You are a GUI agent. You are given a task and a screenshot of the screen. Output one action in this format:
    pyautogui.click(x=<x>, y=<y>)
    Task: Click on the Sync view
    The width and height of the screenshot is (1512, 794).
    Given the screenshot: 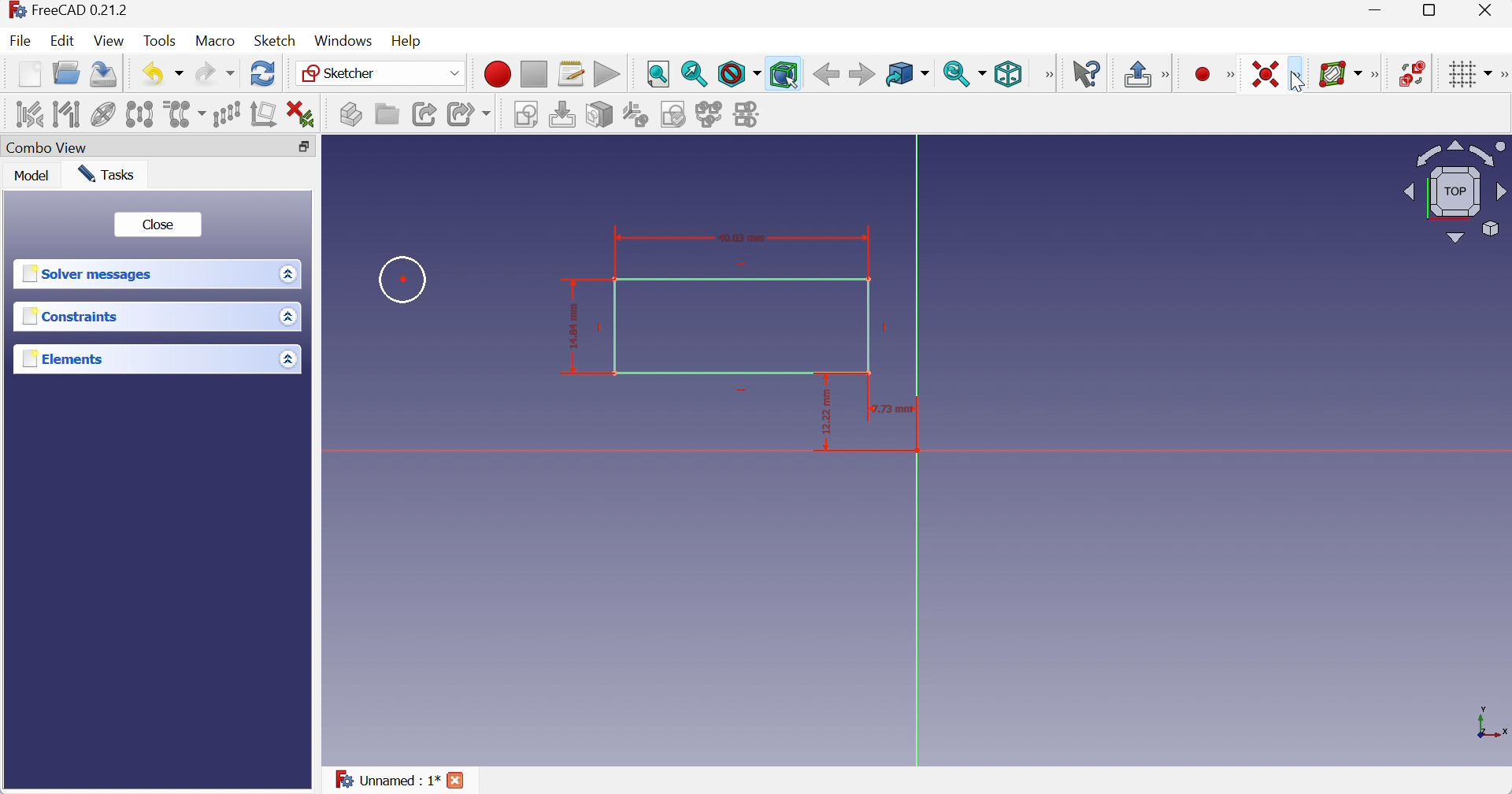 What is the action you would take?
    pyautogui.click(x=965, y=74)
    